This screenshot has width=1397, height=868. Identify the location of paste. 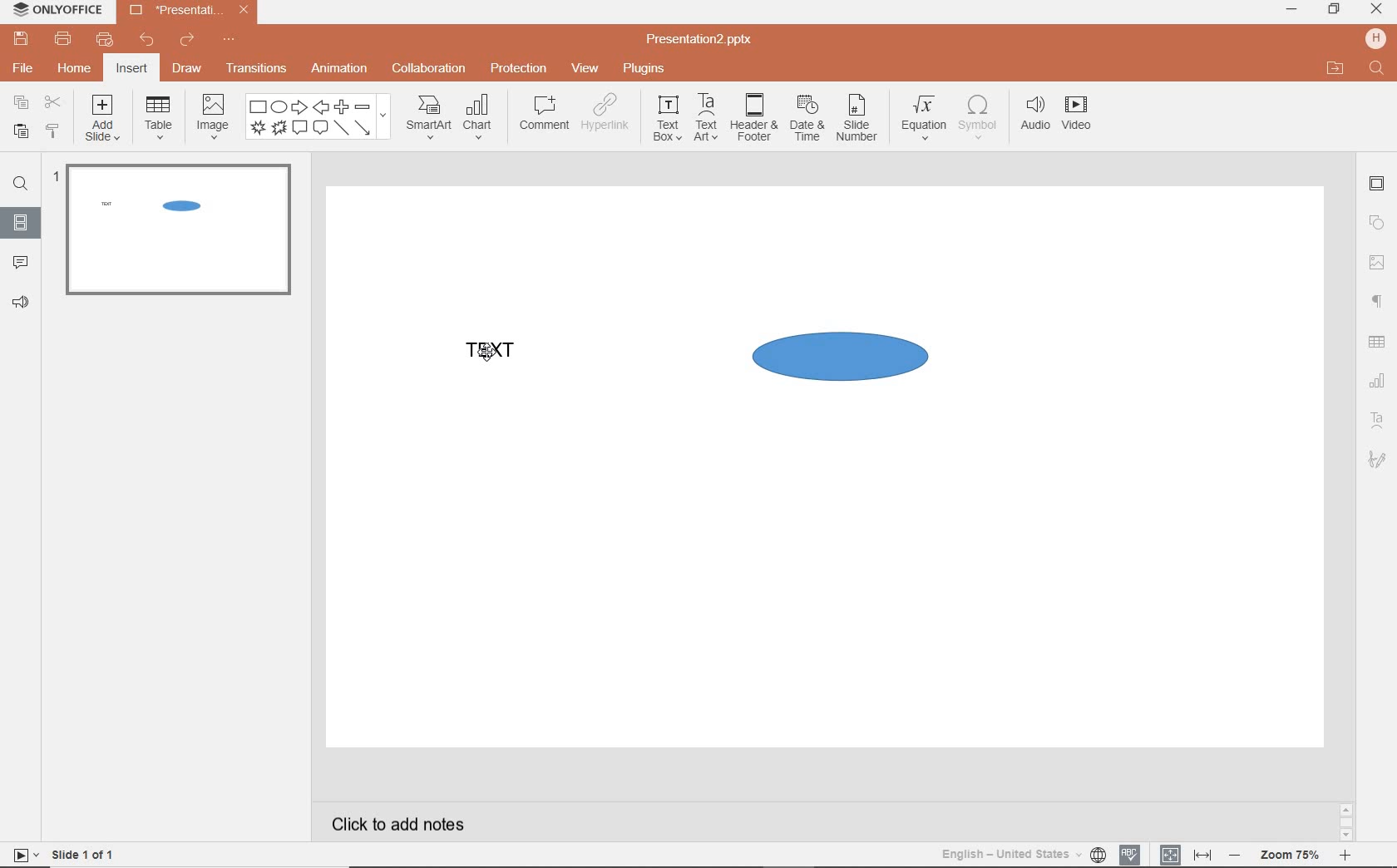
(21, 133).